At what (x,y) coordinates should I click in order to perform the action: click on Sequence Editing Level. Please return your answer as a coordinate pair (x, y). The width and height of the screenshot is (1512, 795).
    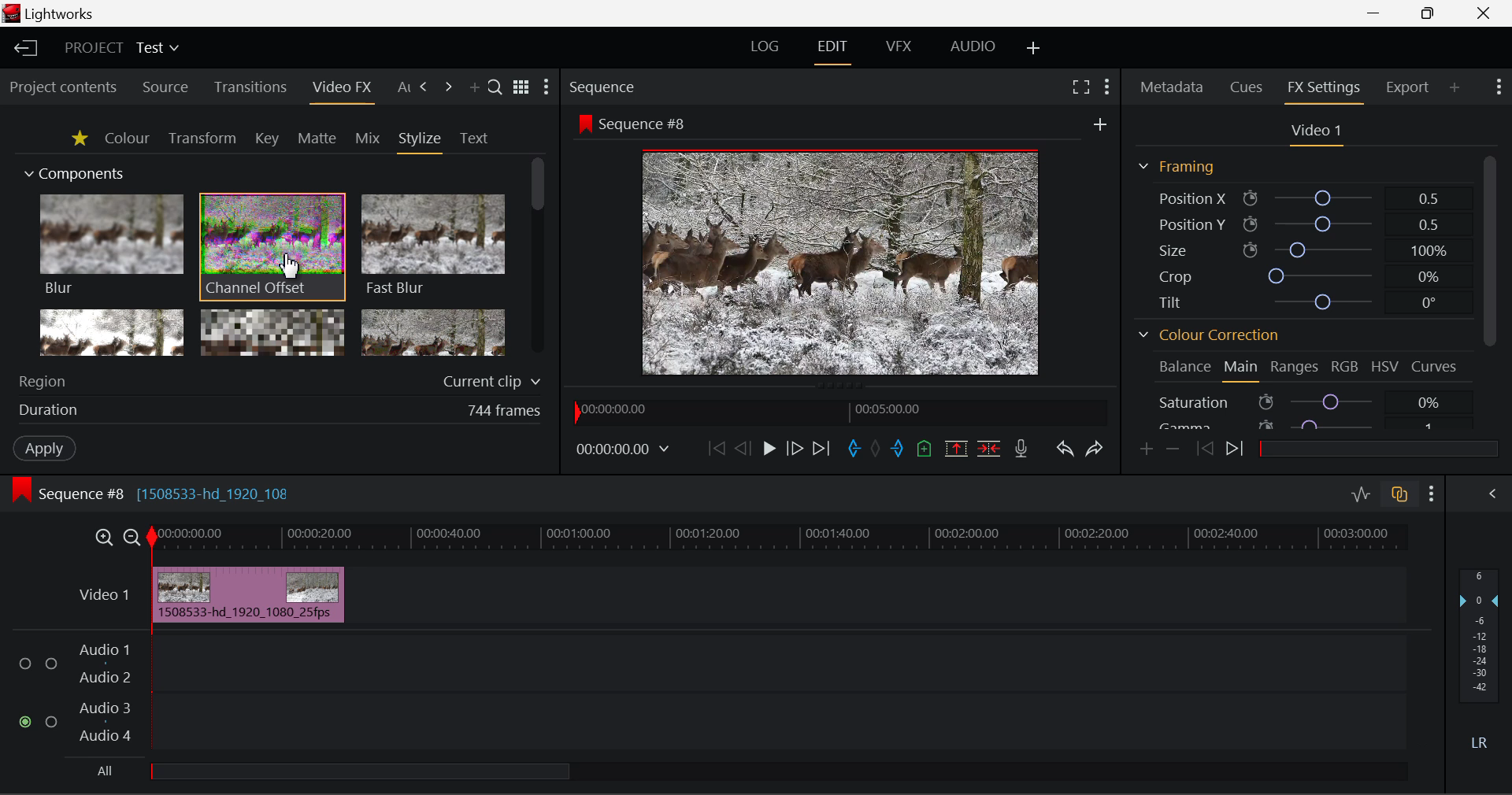
    Looking at the image, I should click on (65, 497).